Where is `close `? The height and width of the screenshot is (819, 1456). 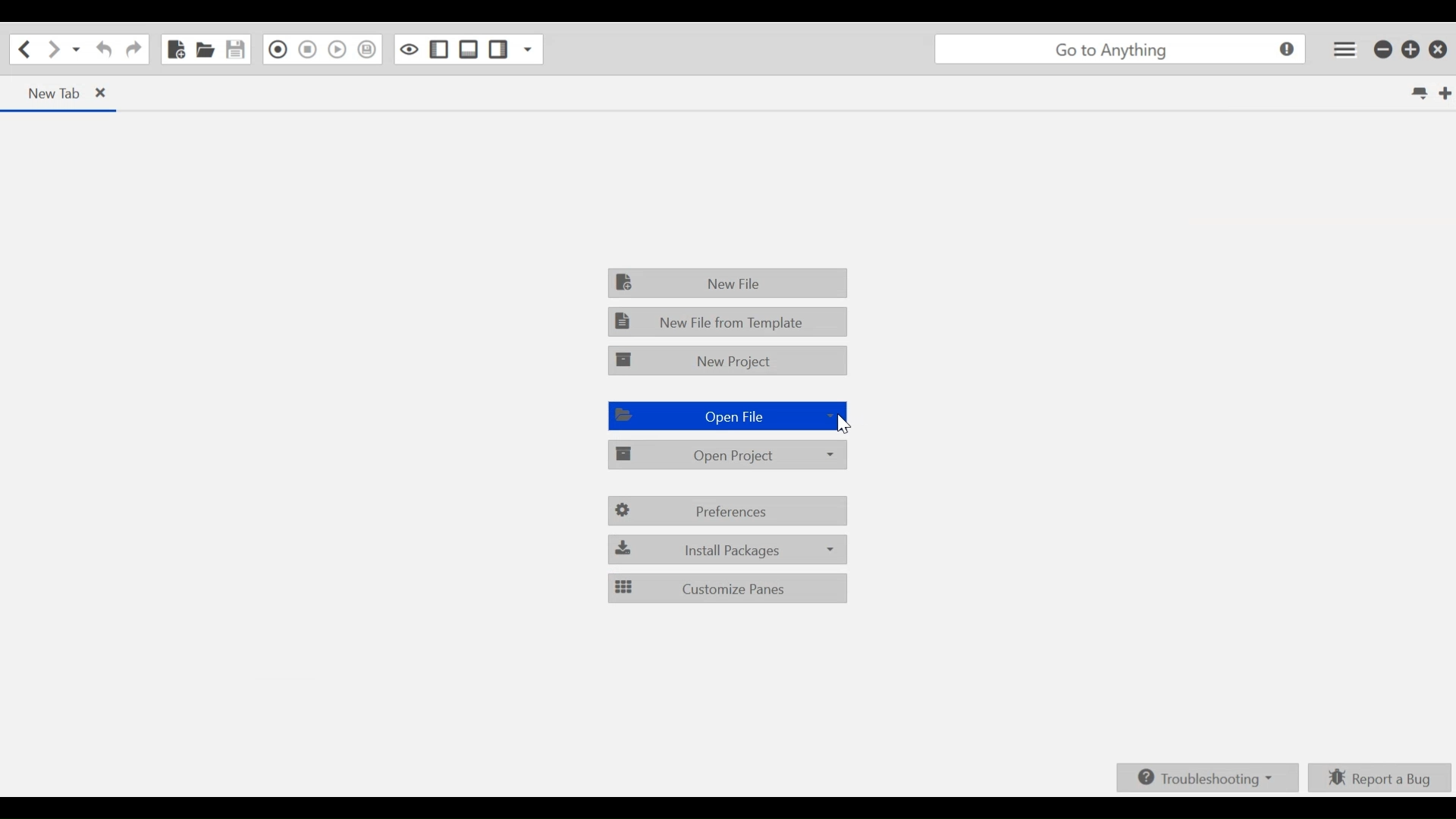 close  is located at coordinates (102, 93).